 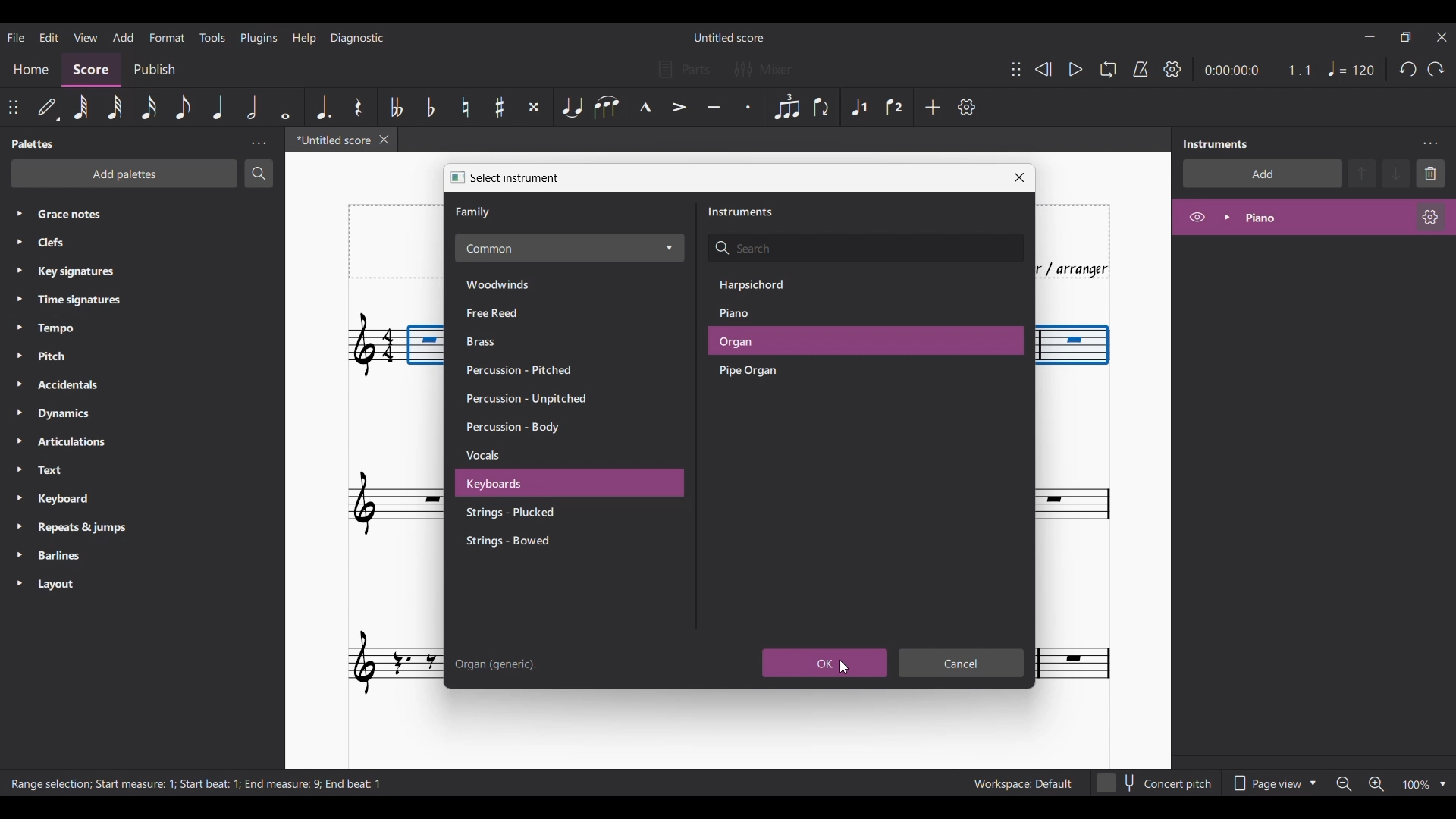 I want to click on Piano, so click(x=761, y=313).